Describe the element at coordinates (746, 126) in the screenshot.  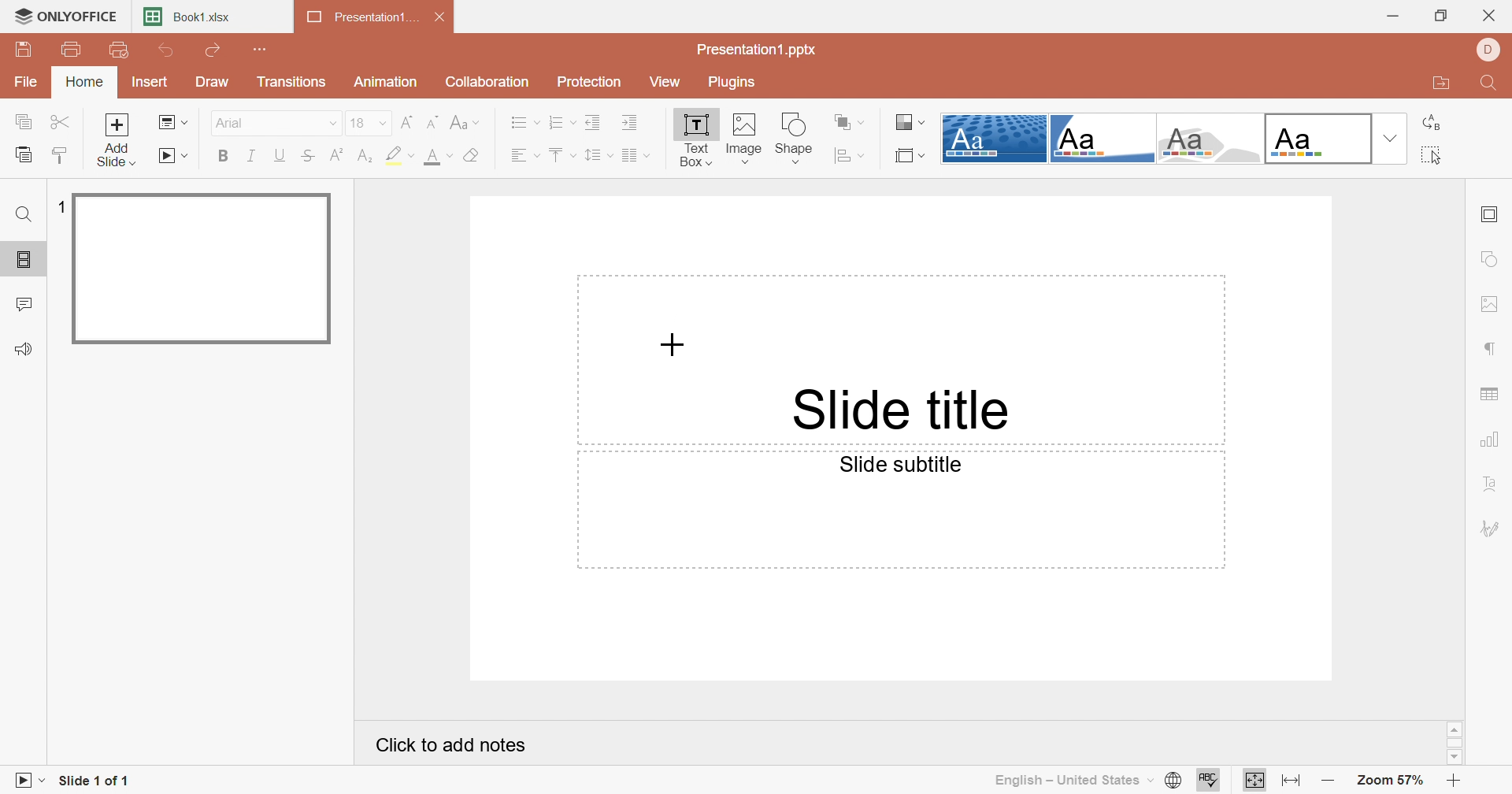
I see `Image` at that location.